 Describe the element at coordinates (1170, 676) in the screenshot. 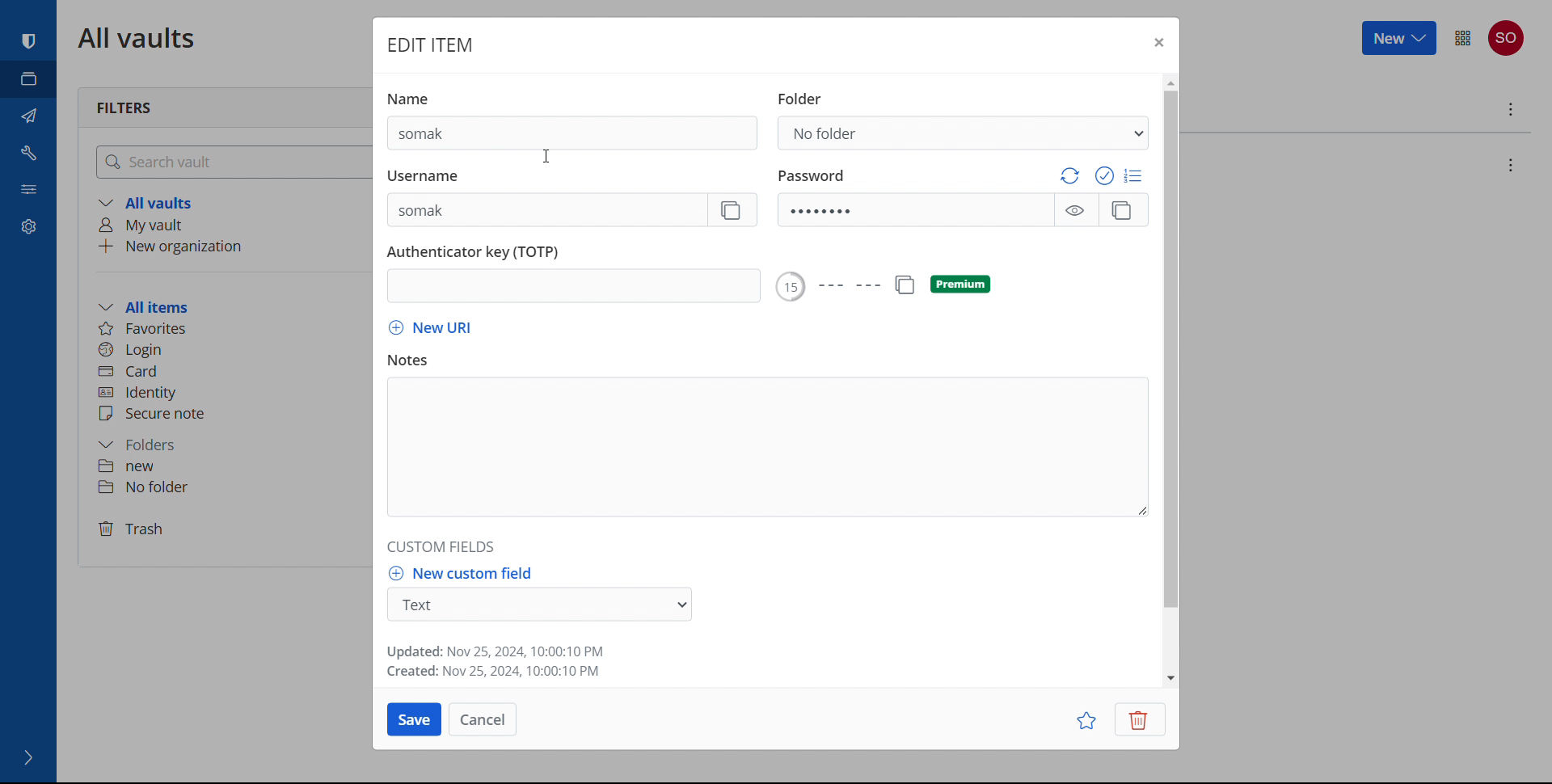

I see `scroll down` at that location.